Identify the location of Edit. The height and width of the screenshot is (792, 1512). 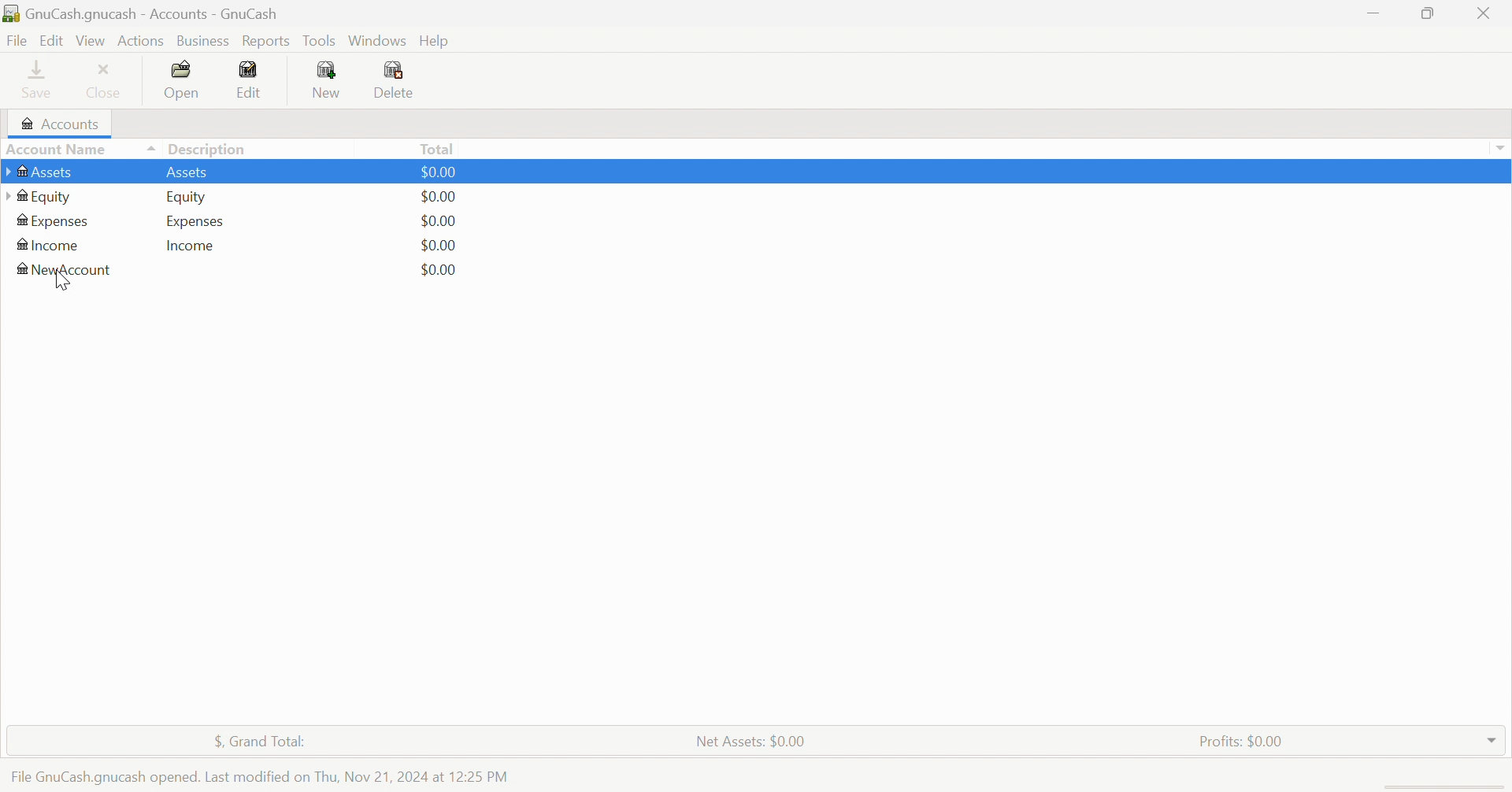
(249, 80).